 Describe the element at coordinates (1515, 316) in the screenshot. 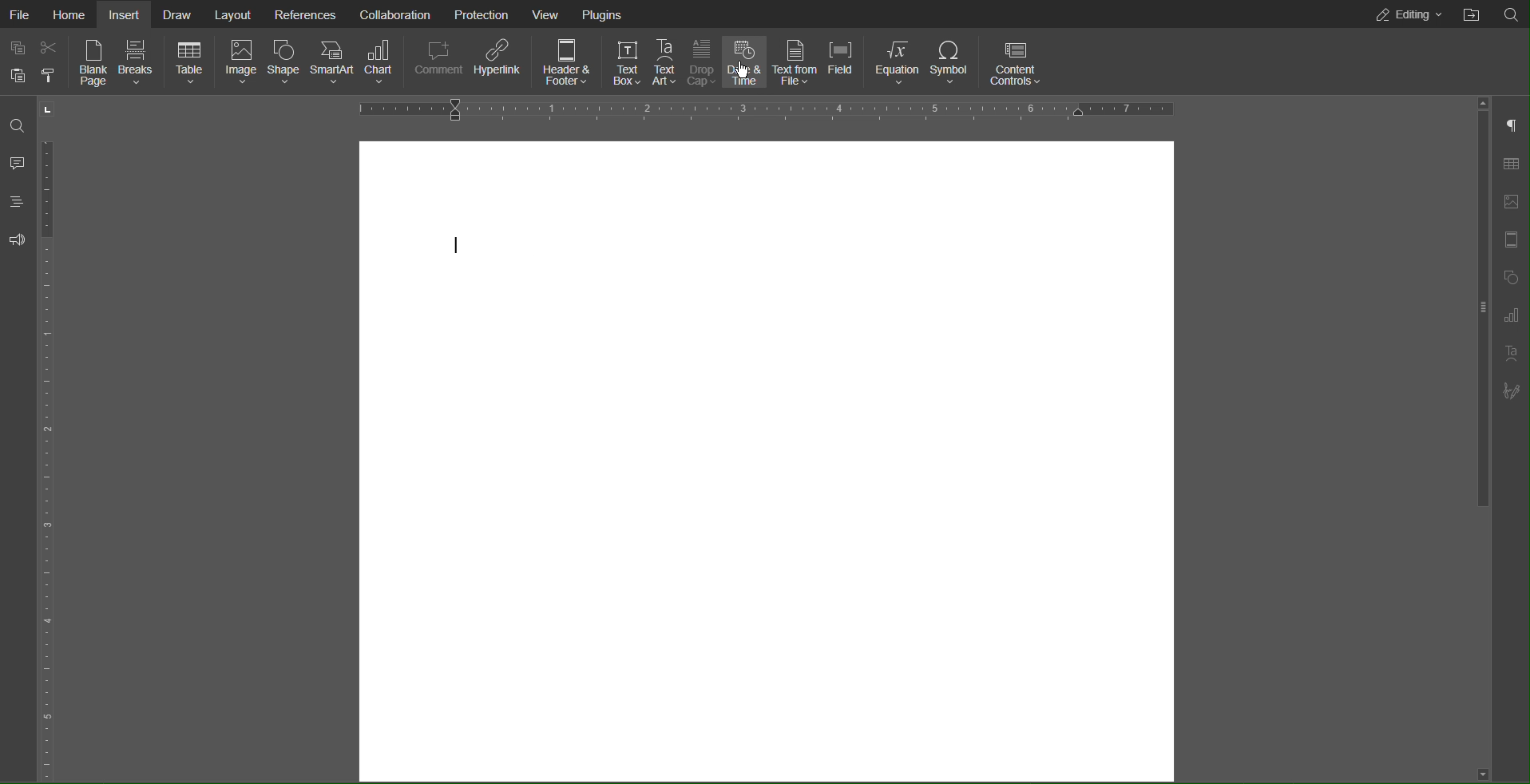

I see `Graph Settings` at that location.